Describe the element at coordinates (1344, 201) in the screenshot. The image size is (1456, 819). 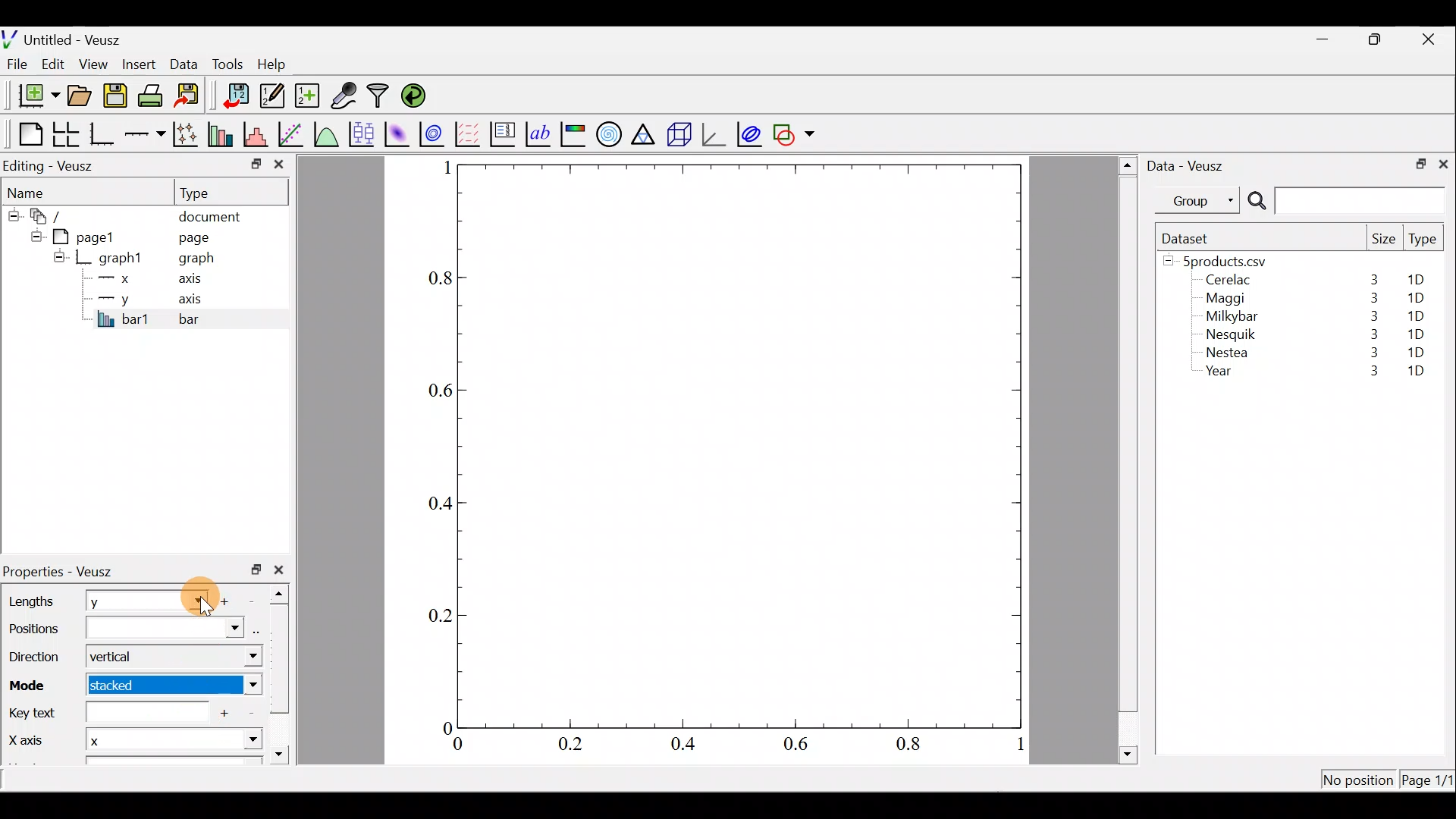
I see `Search bar` at that location.